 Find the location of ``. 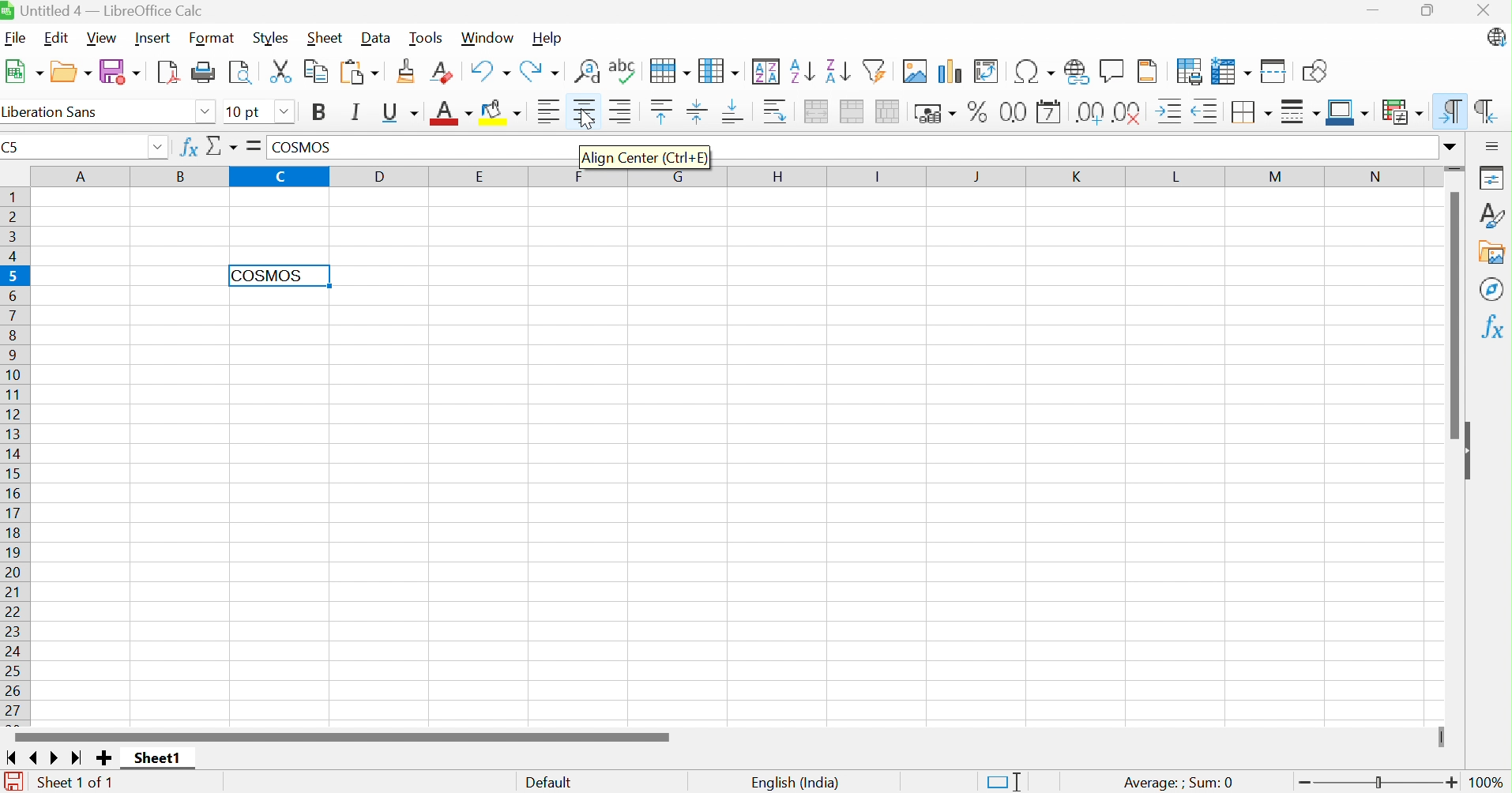

 is located at coordinates (246, 112).